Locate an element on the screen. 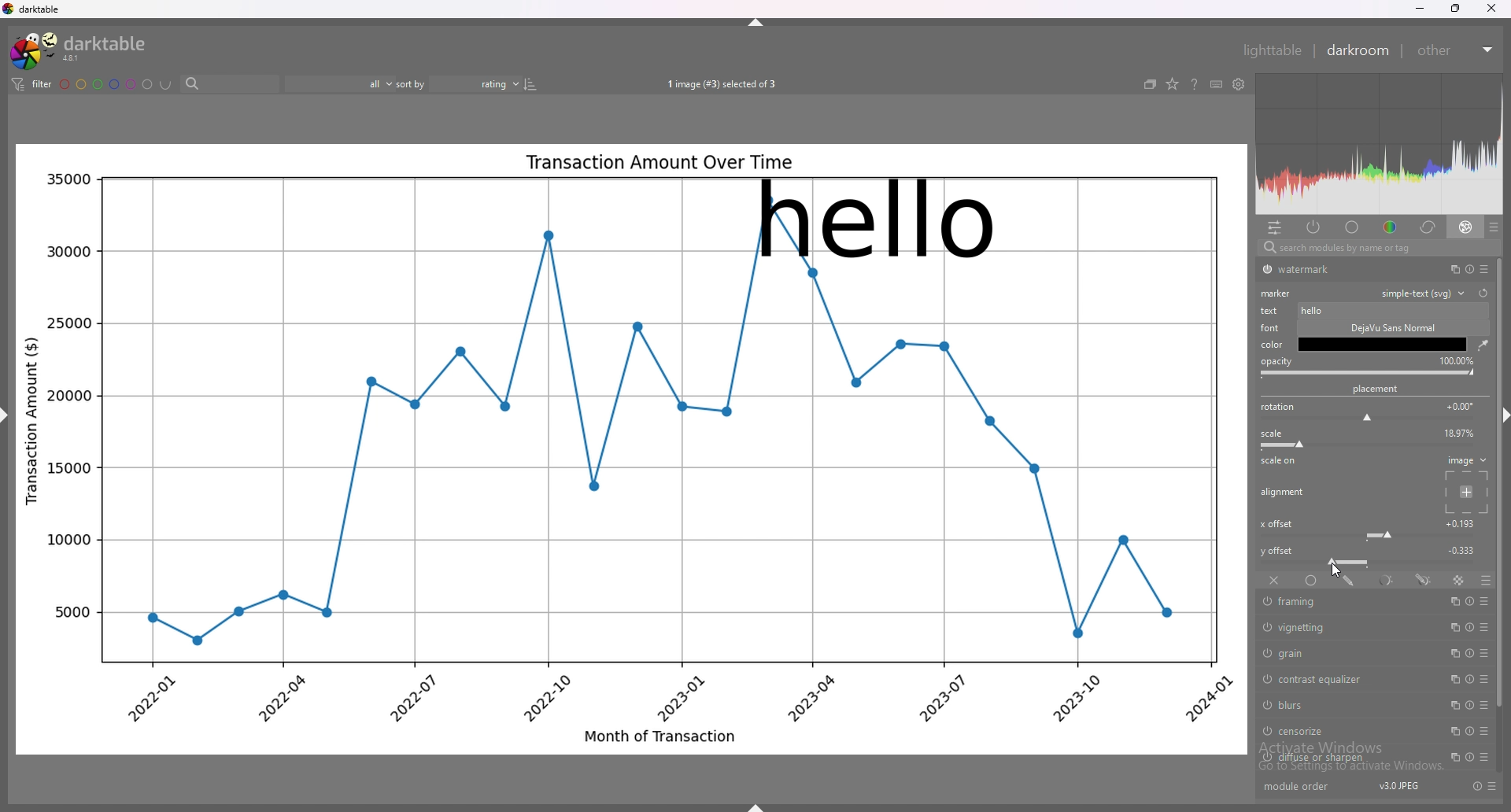  opacity bar is located at coordinates (1368, 374).